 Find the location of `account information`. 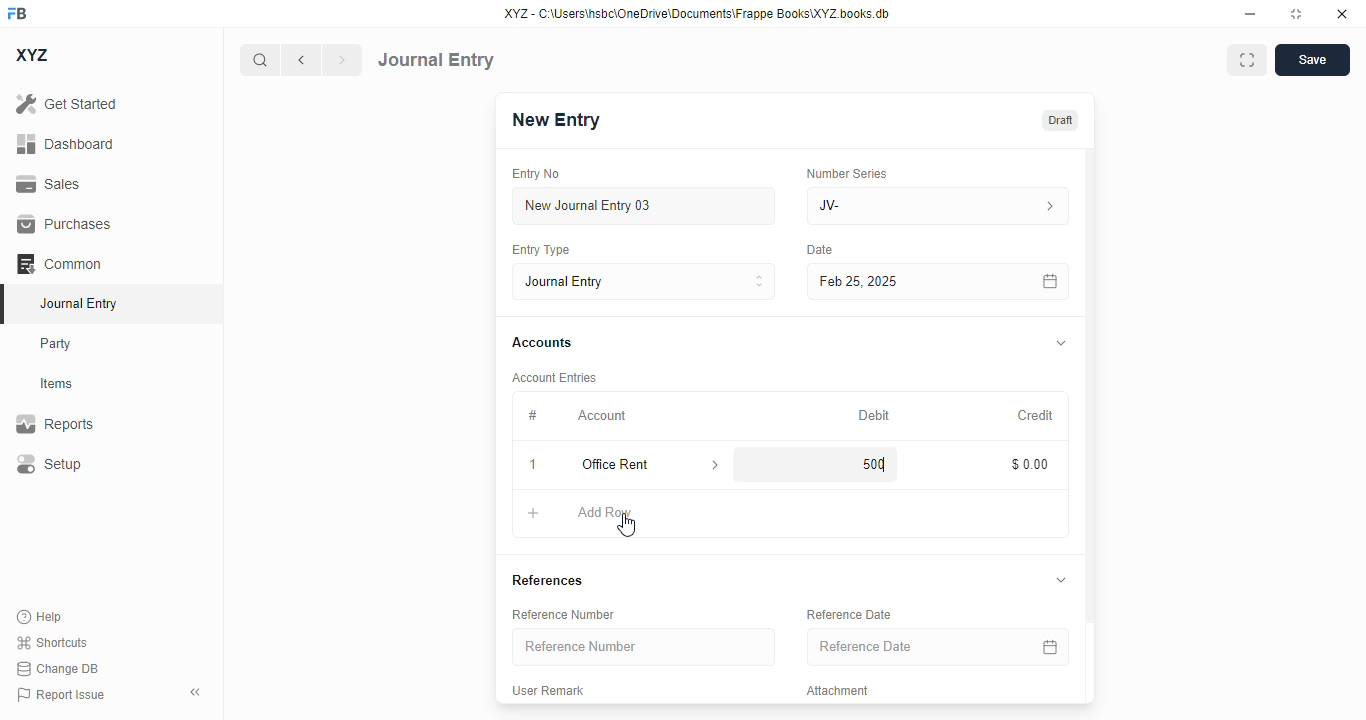

account information is located at coordinates (716, 465).